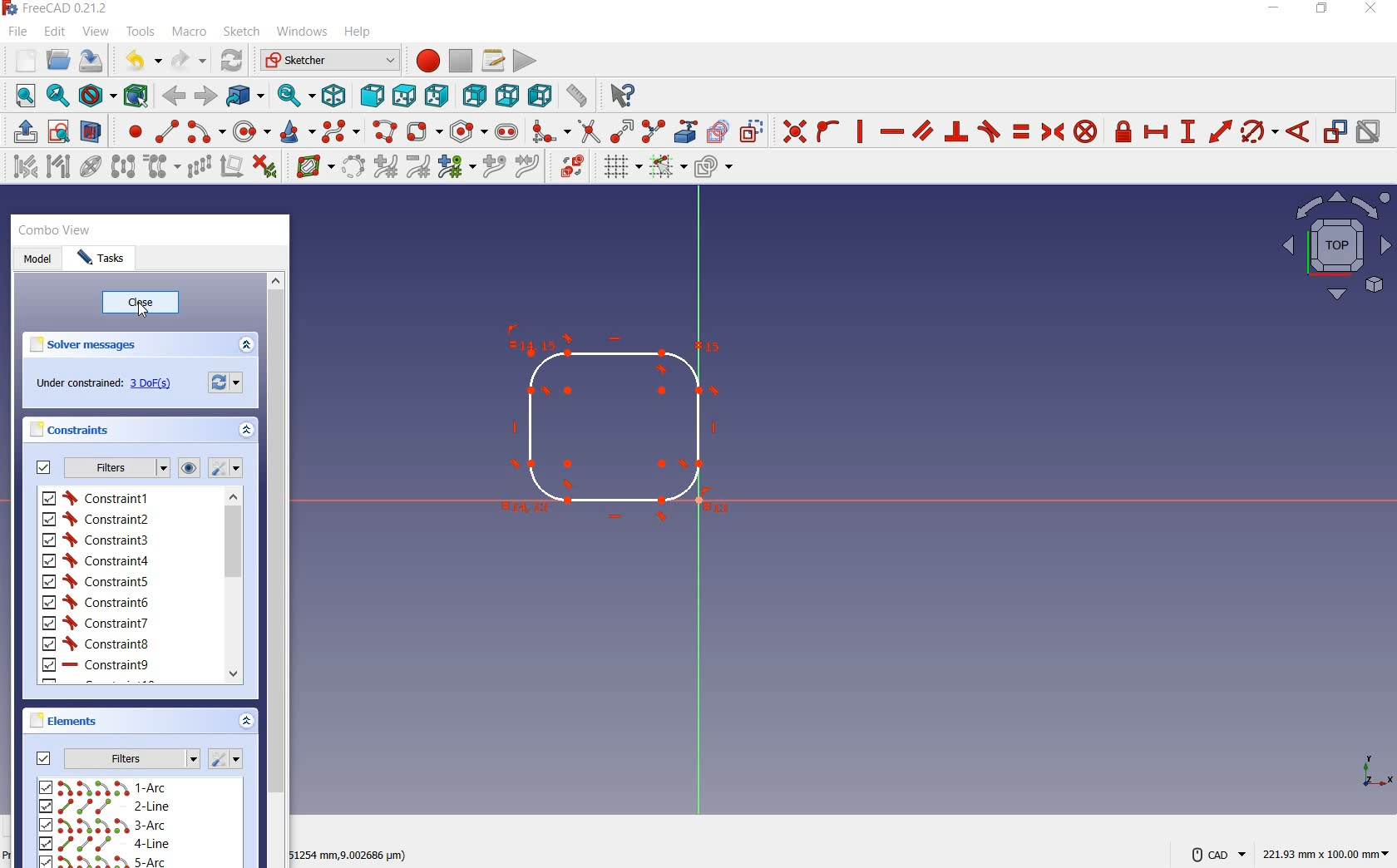 This screenshot has width=1397, height=868. I want to click on select associated geometry, so click(59, 169).